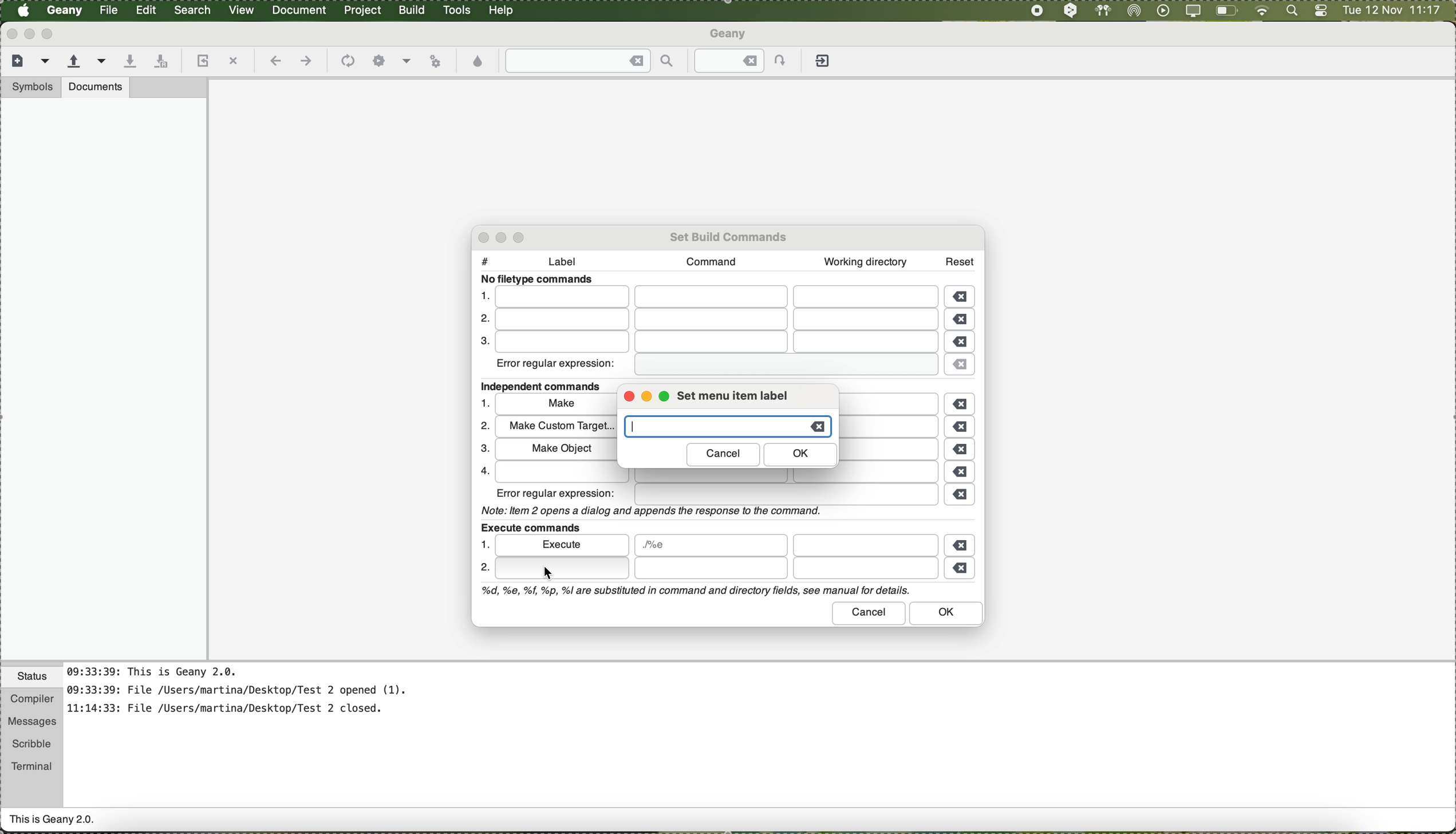 The image size is (1456, 834). I want to click on file, so click(717, 297).